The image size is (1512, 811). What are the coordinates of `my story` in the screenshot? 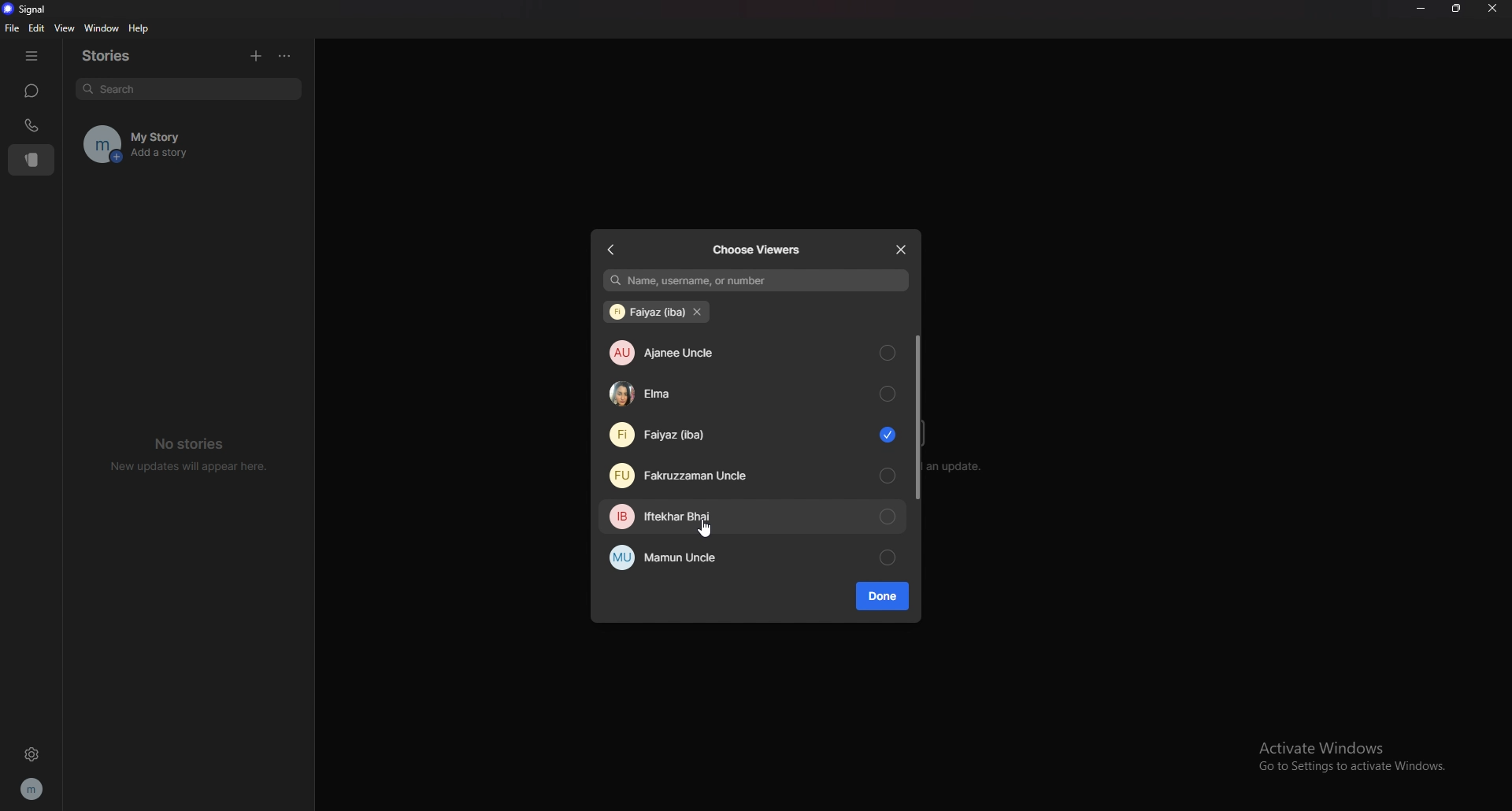 It's located at (188, 145).